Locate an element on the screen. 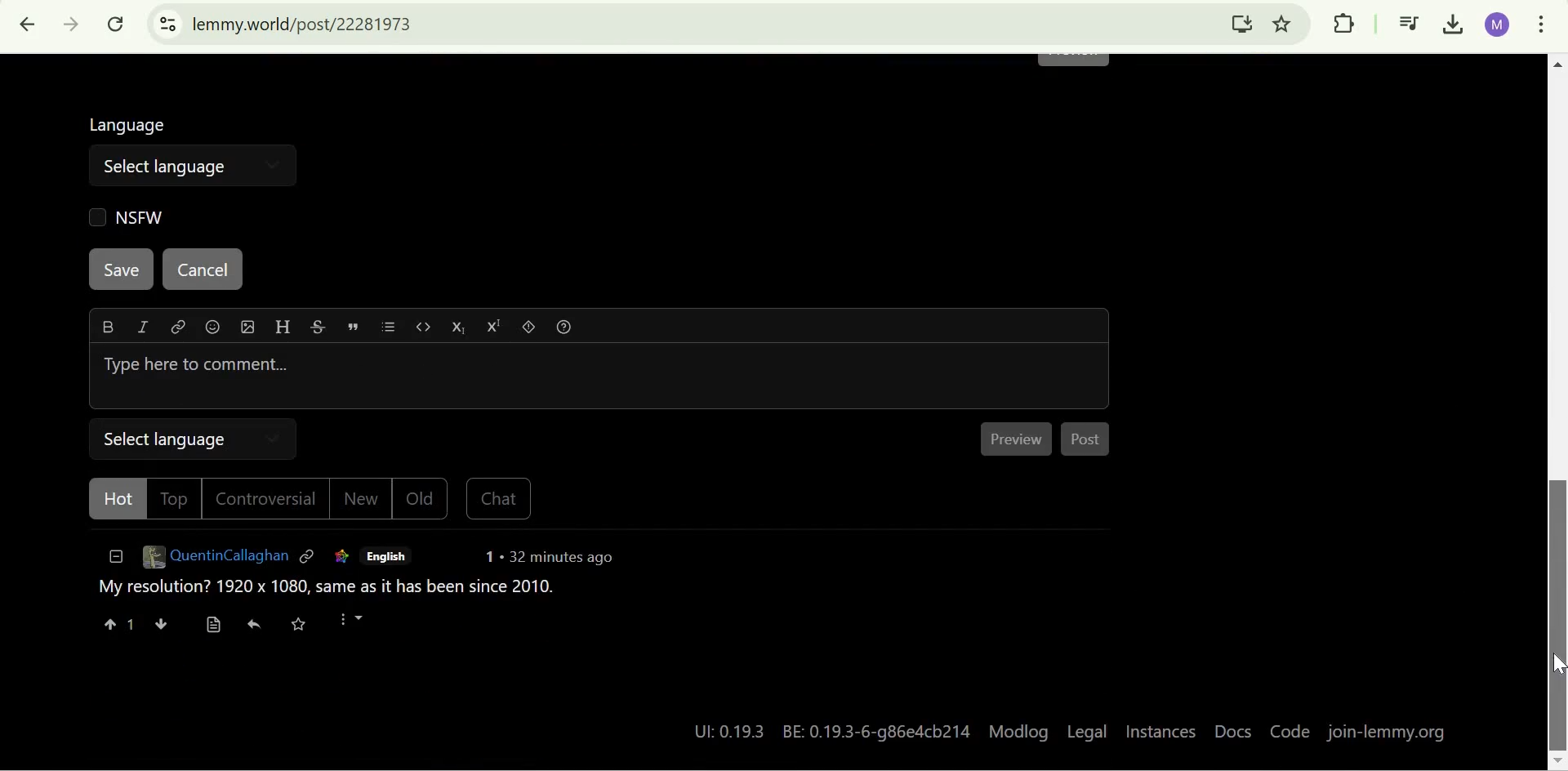  instances is located at coordinates (1161, 733).